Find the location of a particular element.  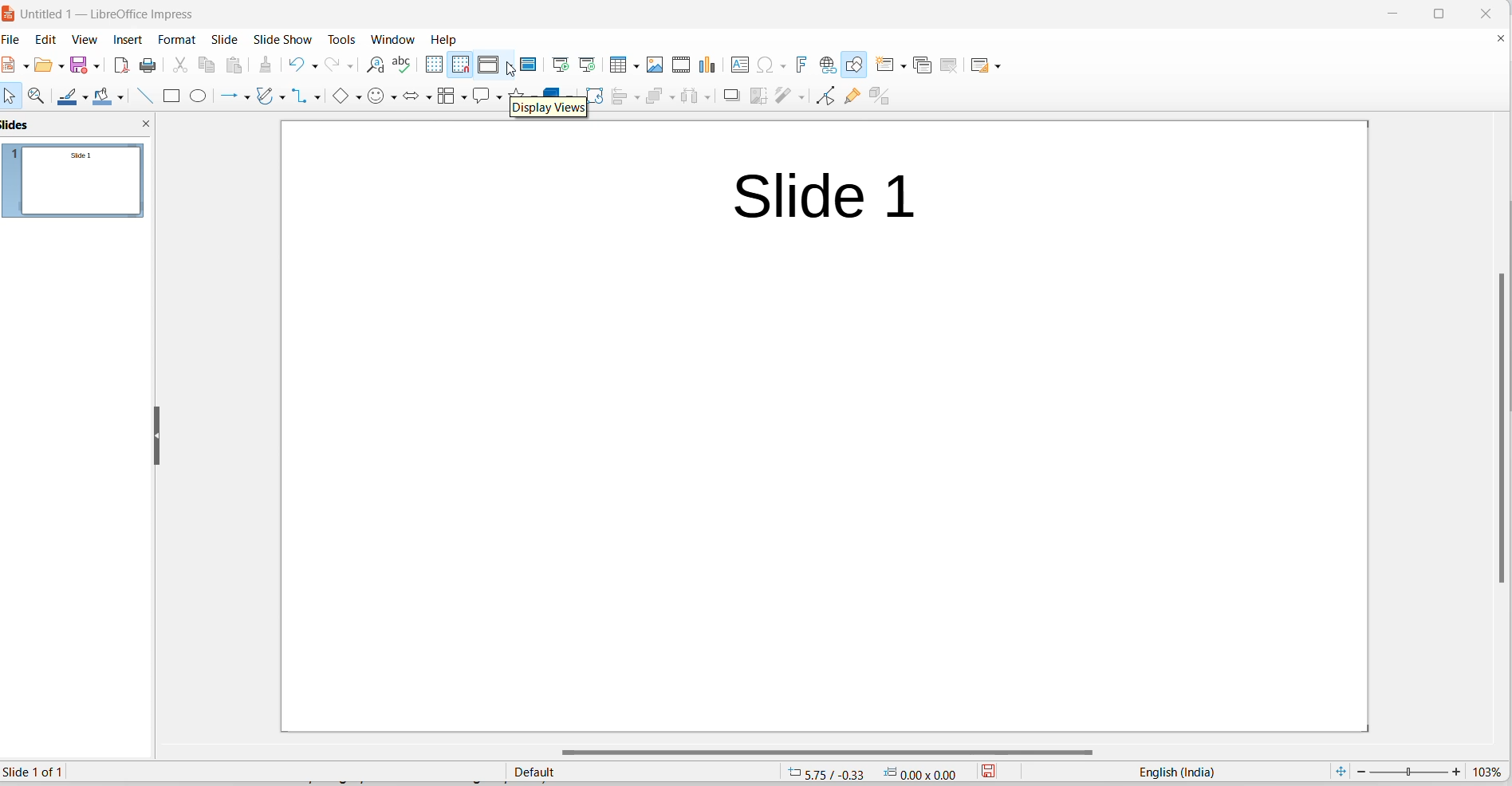

save is located at coordinates (993, 772).